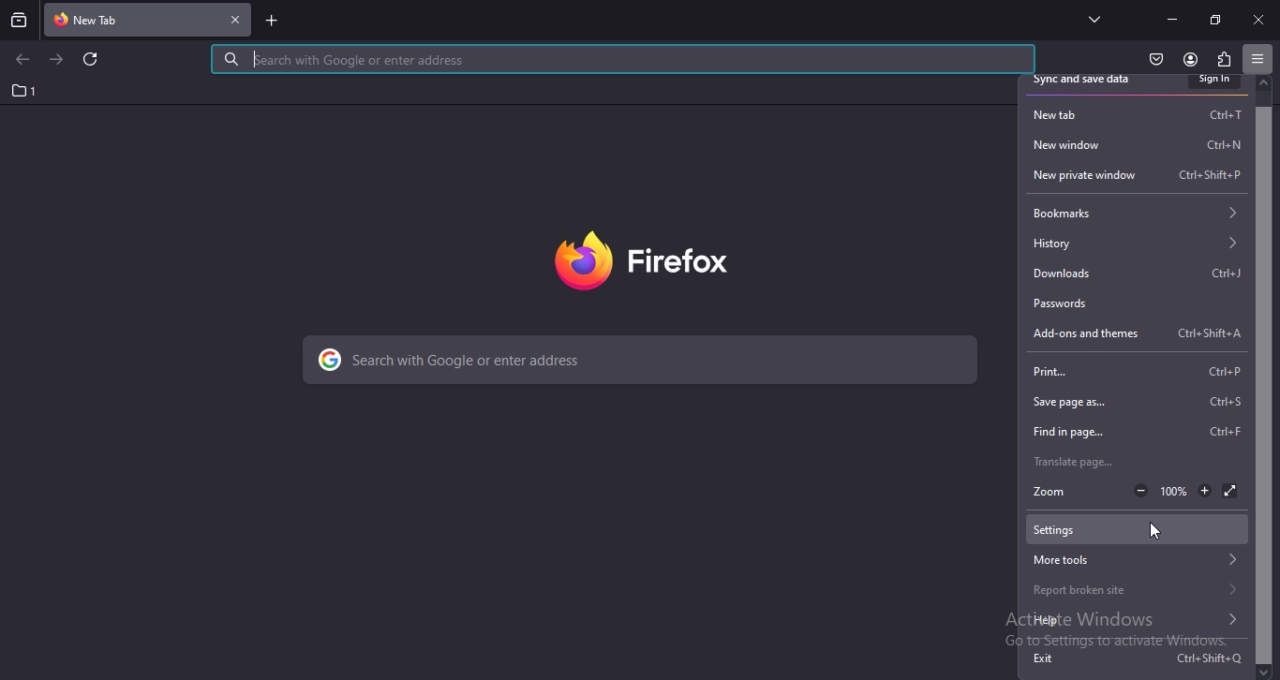 The width and height of the screenshot is (1280, 680). What do you see at coordinates (623, 59) in the screenshot?
I see `search with google or enter address` at bounding box center [623, 59].